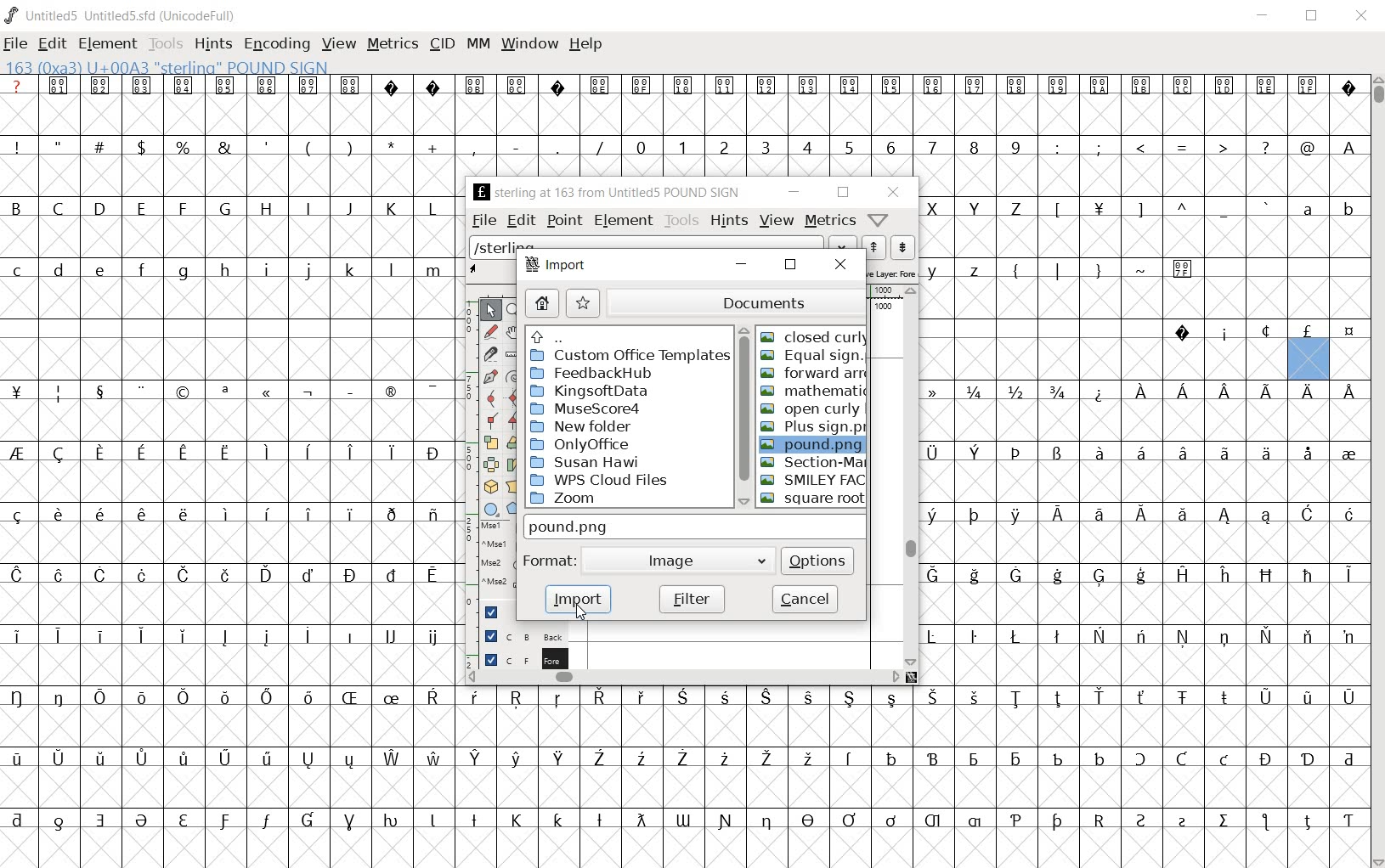  What do you see at coordinates (225, 514) in the screenshot?
I see `Symbol` at bounding box center [225, 514].